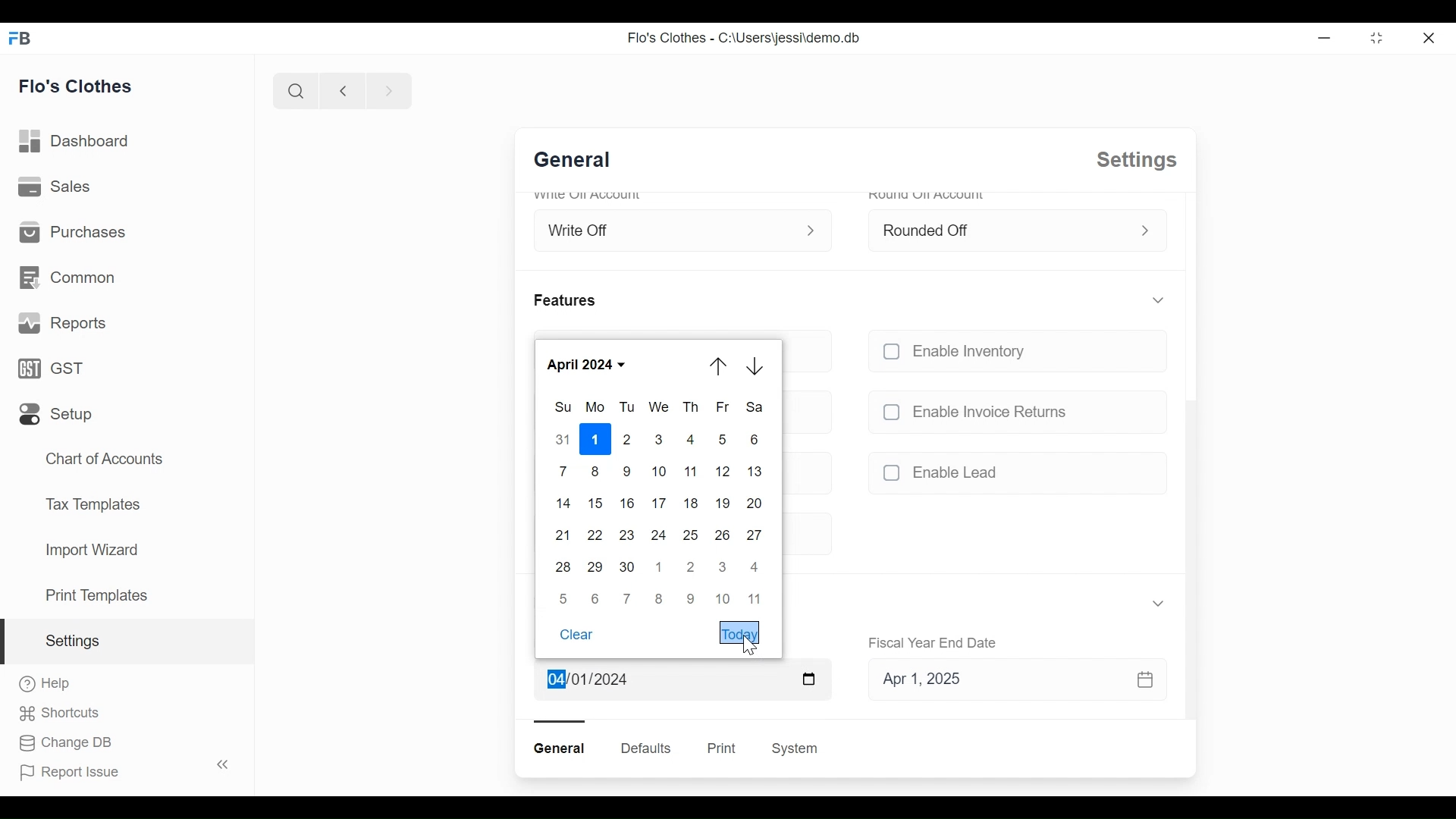  I want to click on 31, so click(563, 439).